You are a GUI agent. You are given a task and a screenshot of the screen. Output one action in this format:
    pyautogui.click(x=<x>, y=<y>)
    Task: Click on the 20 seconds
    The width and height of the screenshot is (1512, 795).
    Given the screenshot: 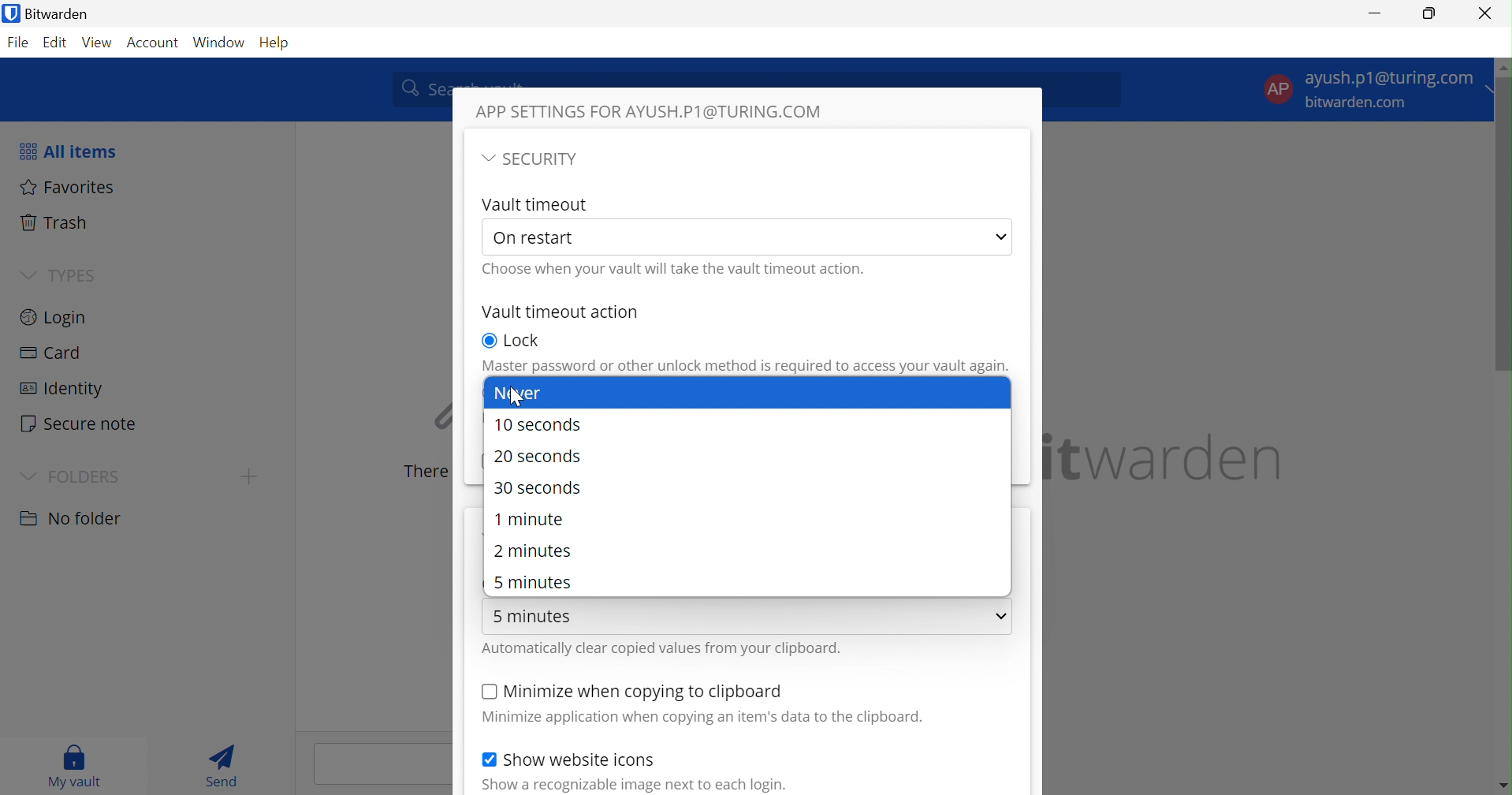 What is the action you would take?
    pyautogui.click(x=537, y=456)
    